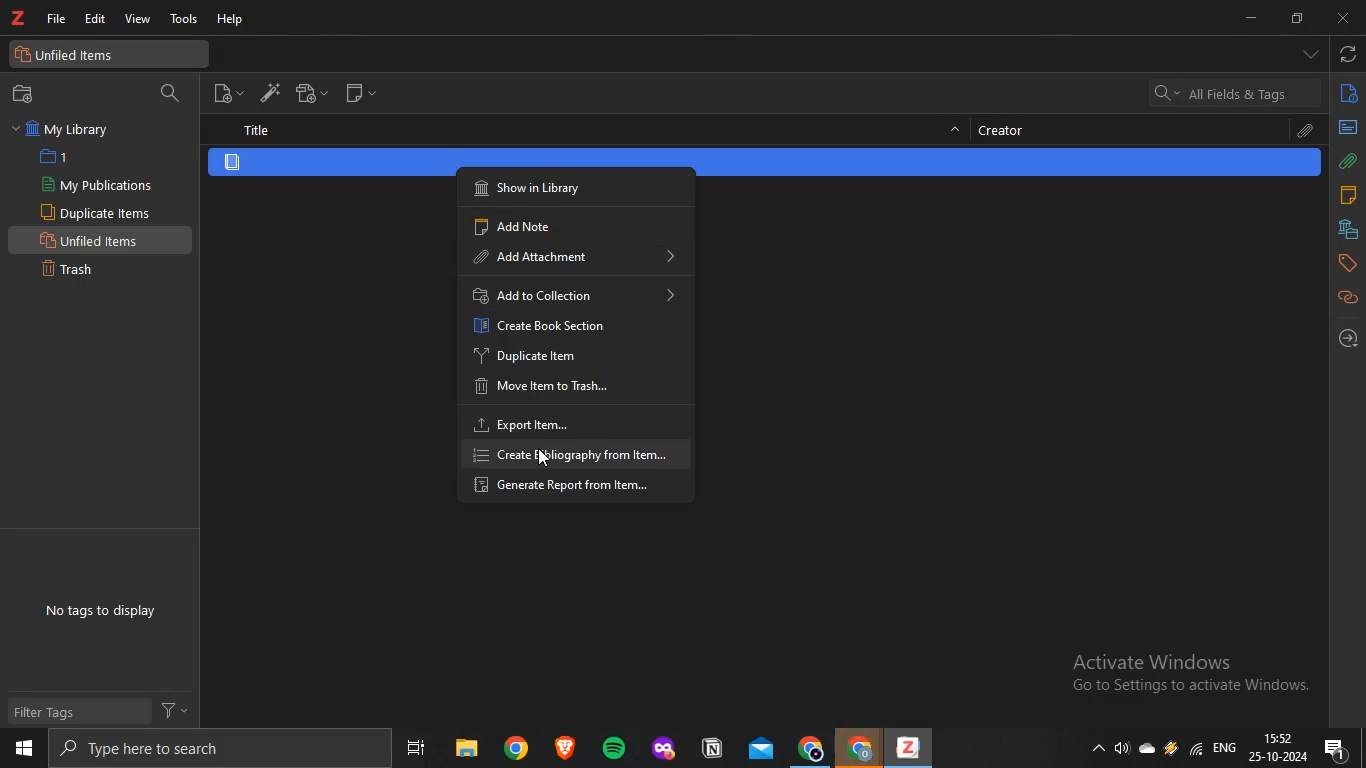 The height and width of the screenshot is (768, 1366). I want to click on attachment, so click(1307, 131).